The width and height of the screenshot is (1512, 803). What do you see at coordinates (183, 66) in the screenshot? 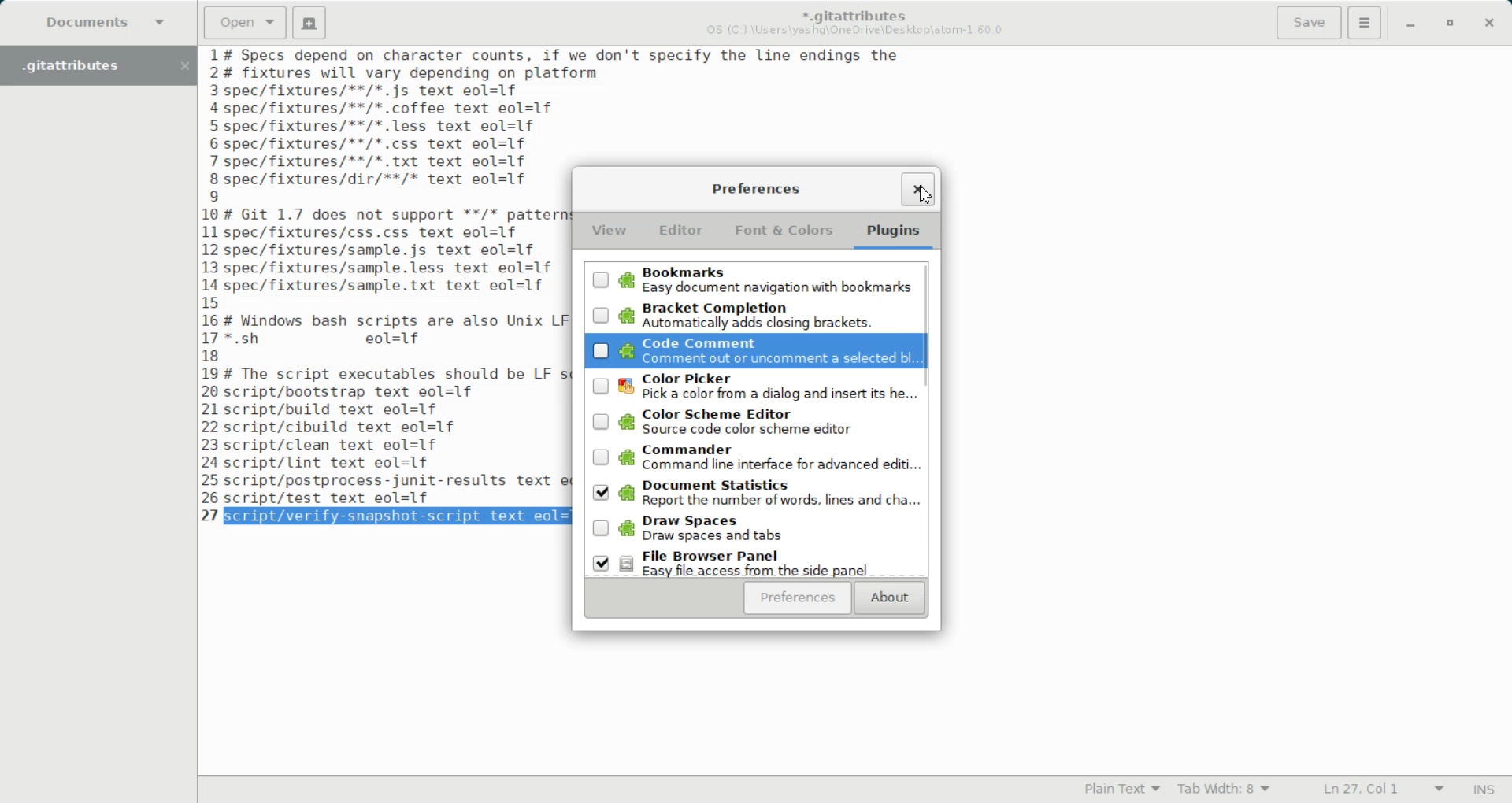
I see `Close Folder` at bounding box center [183, 66].